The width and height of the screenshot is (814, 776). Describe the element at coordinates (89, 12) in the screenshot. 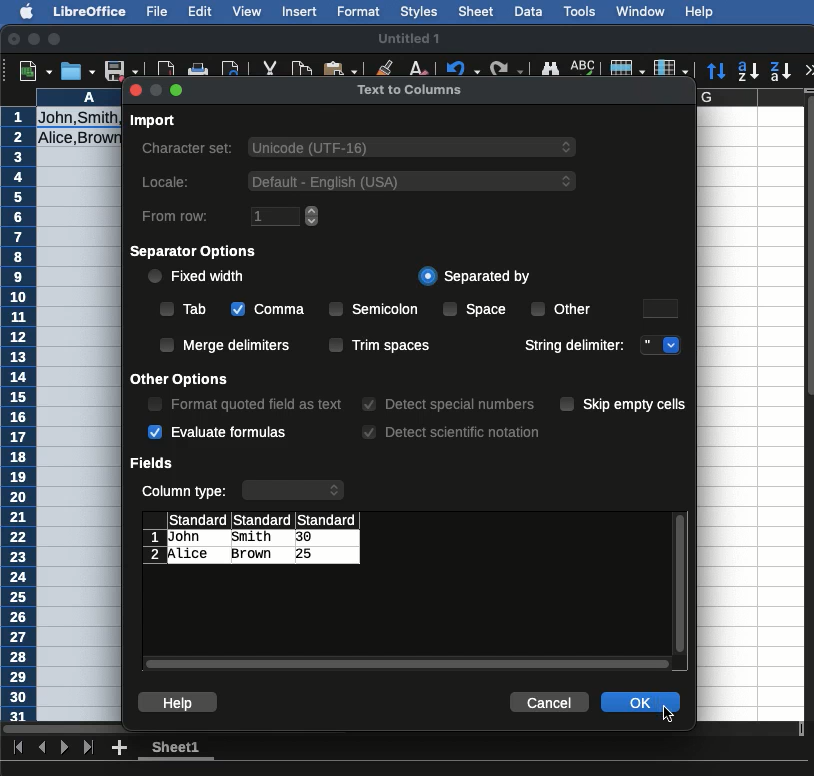

I see `Libreoffice` at that location.